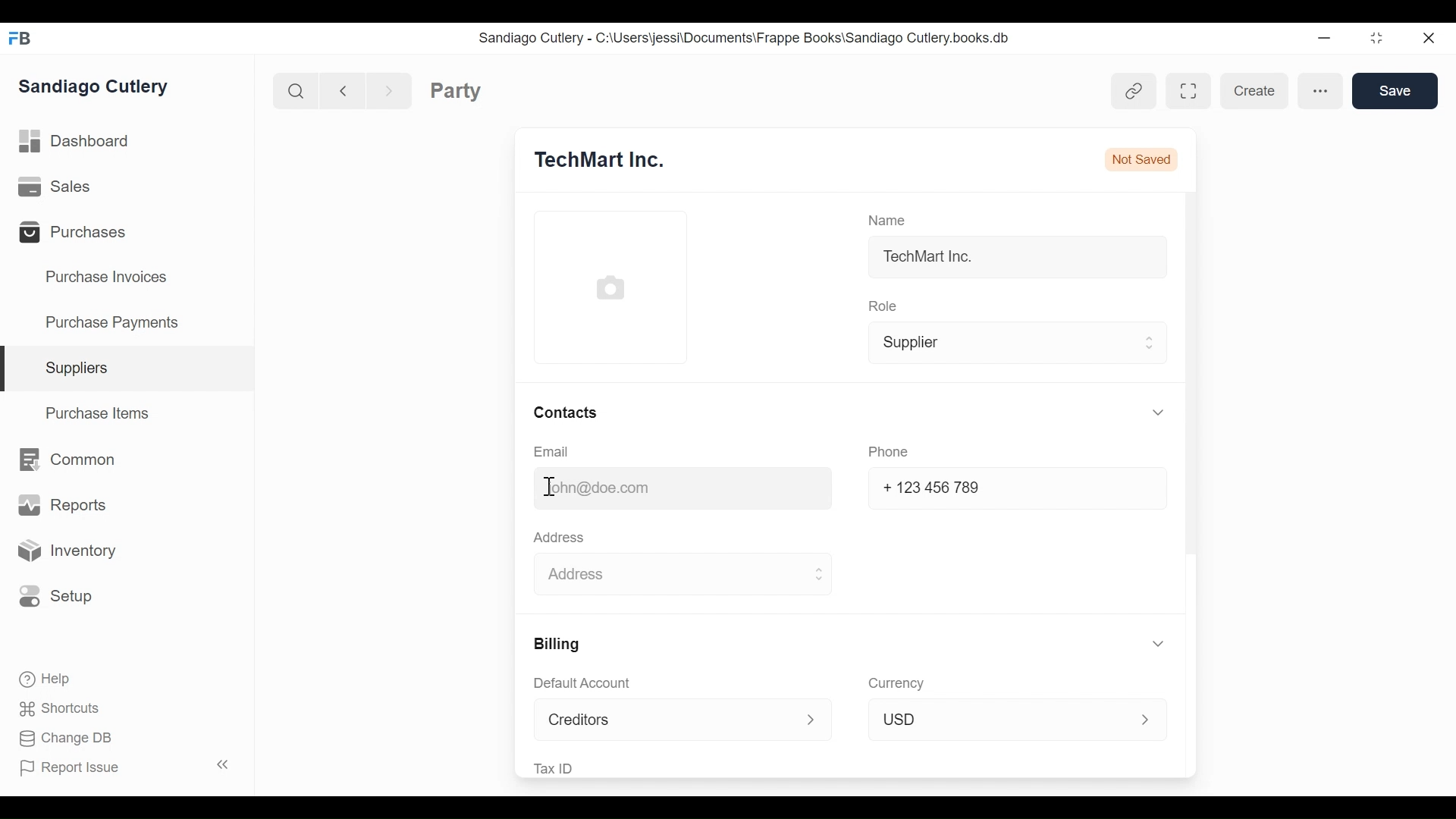 This screenshot has width=1456, height=819. Describe the element at coordinates (391, 89) in the screenshot. I see `next` at that location.